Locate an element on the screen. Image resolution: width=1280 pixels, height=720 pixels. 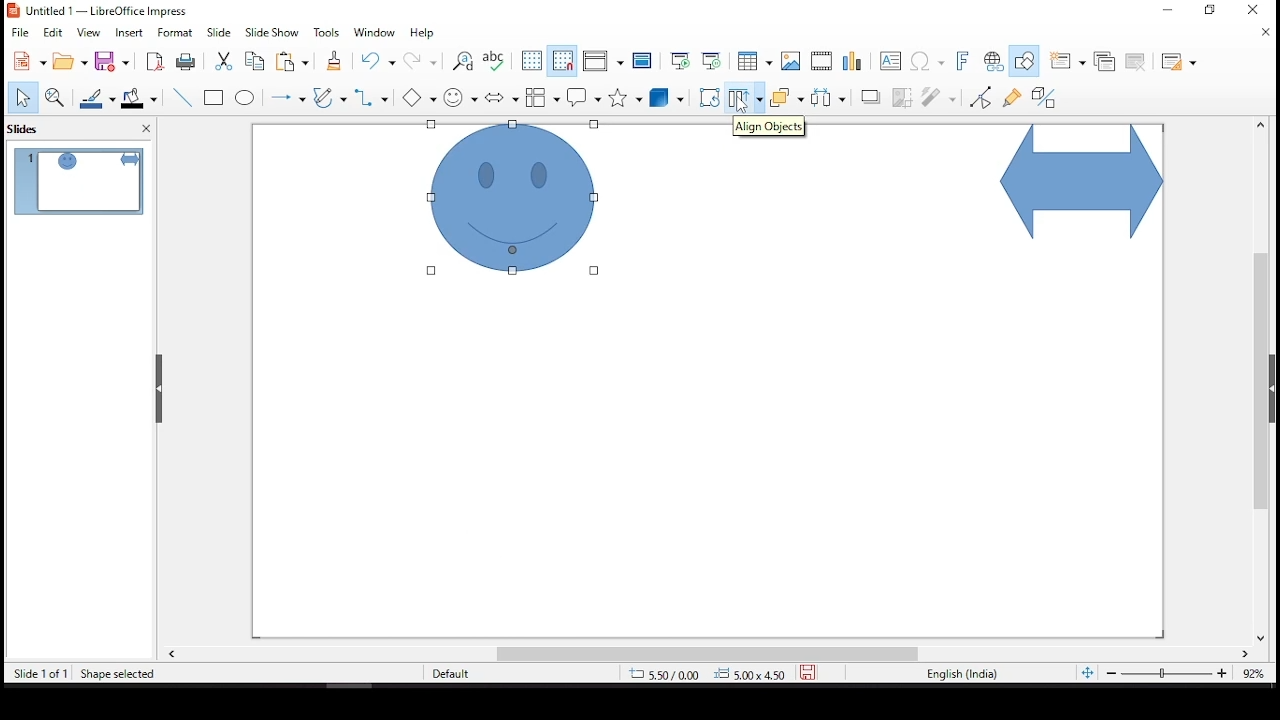
slide 1 of 1 is located at coordinates (41, 675).